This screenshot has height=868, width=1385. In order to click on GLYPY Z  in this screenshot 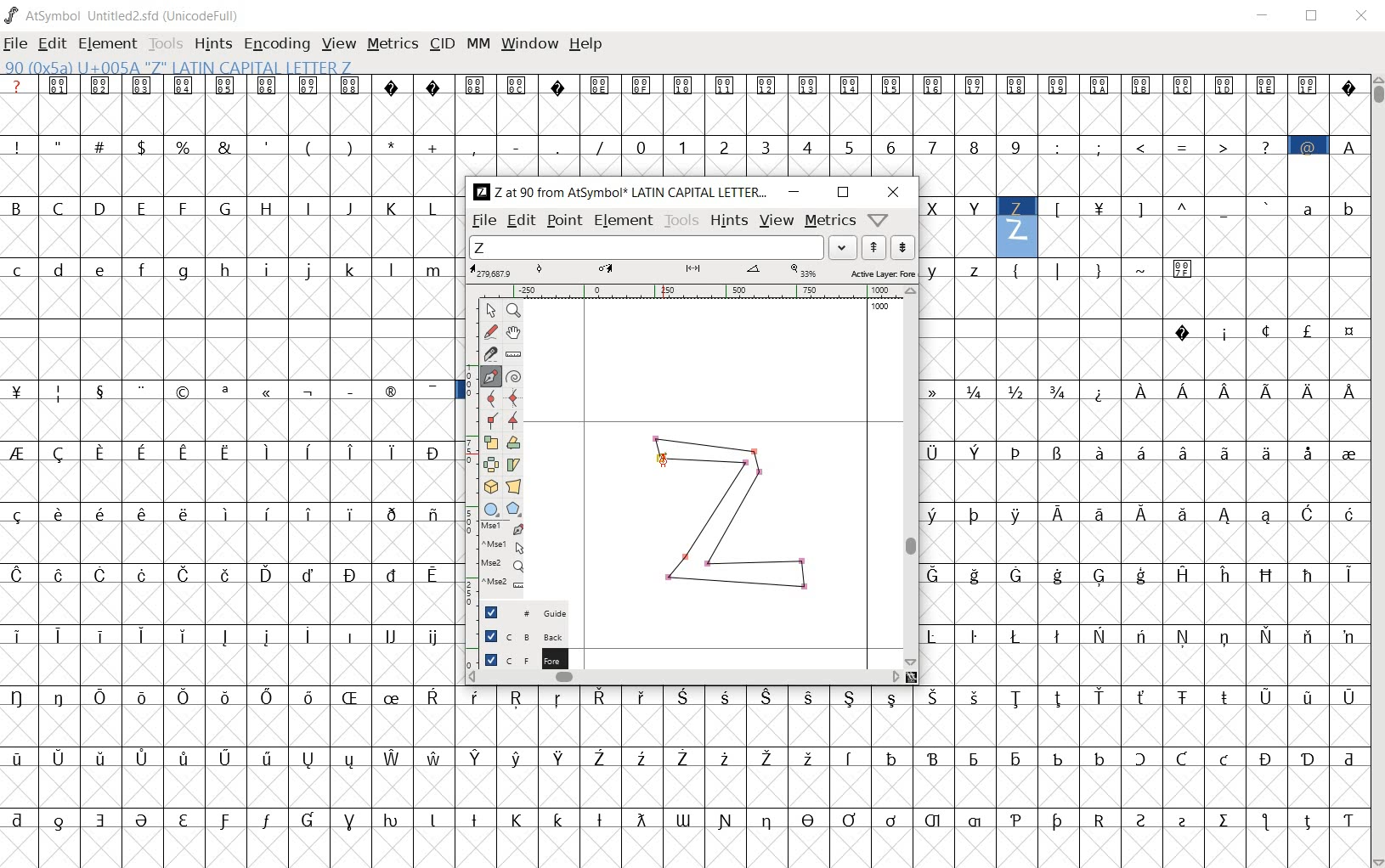, I will do `click(732, 518)`.